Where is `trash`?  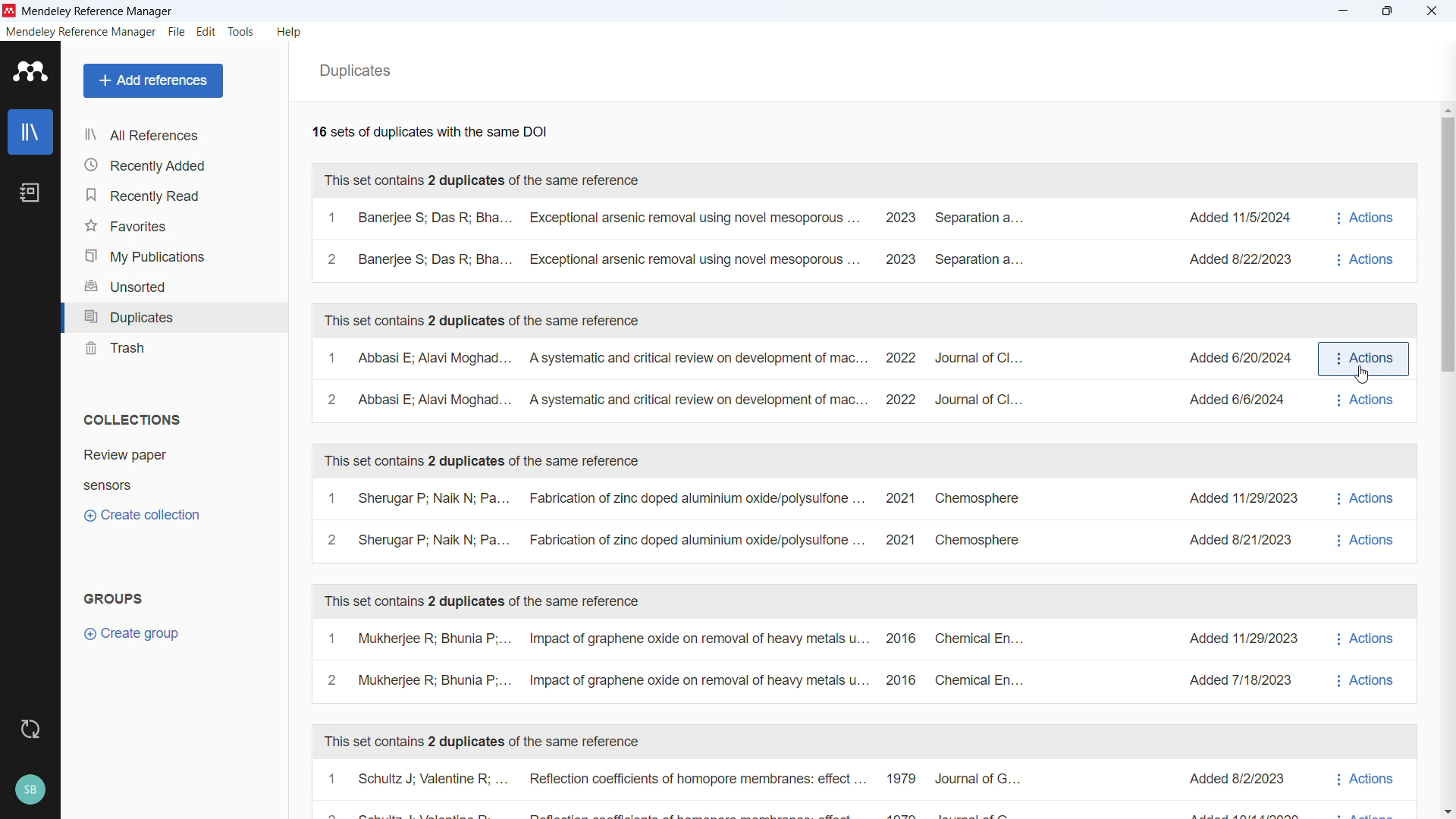 trash is located at coordinates (173, 347).